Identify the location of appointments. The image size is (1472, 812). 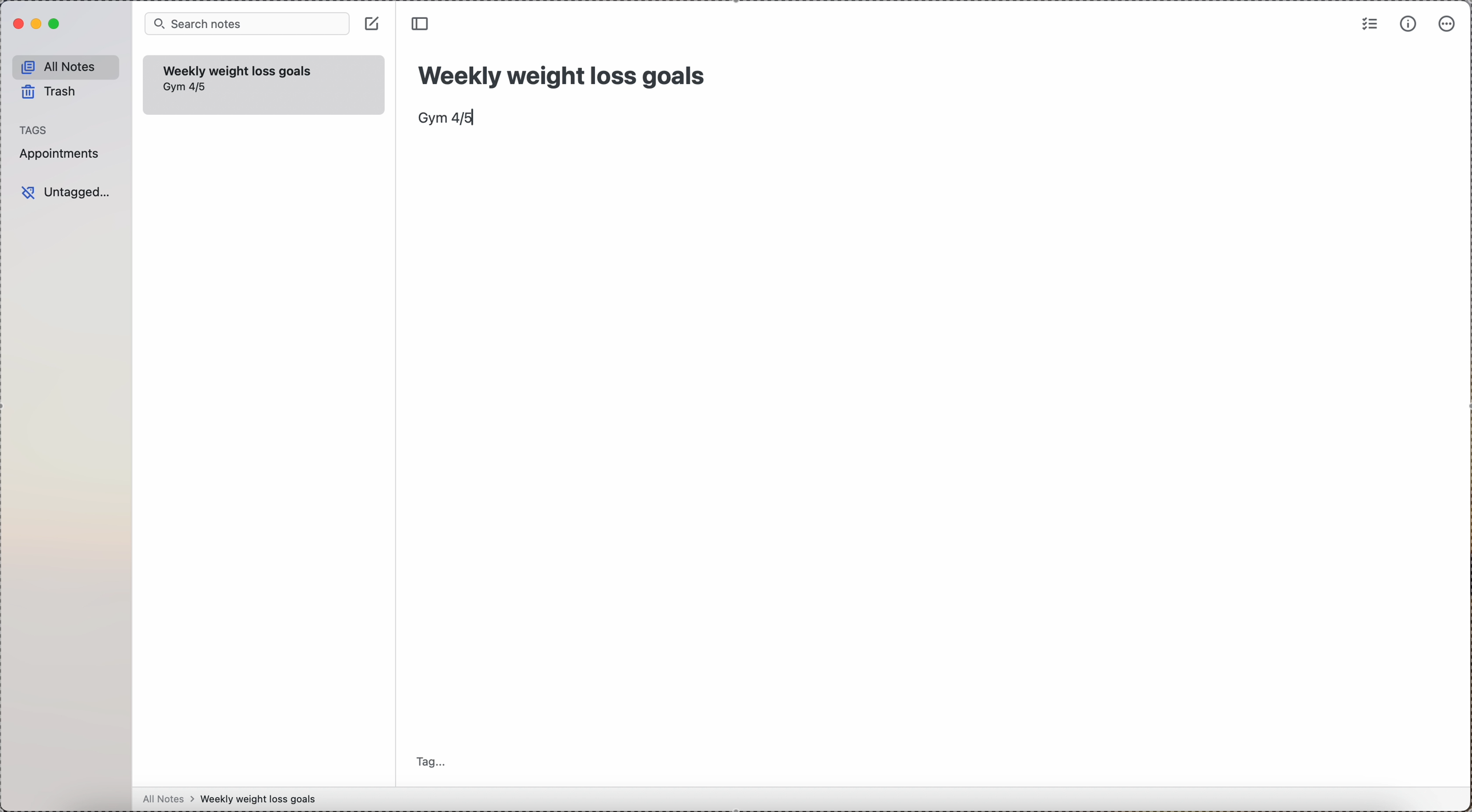
(62, 155).